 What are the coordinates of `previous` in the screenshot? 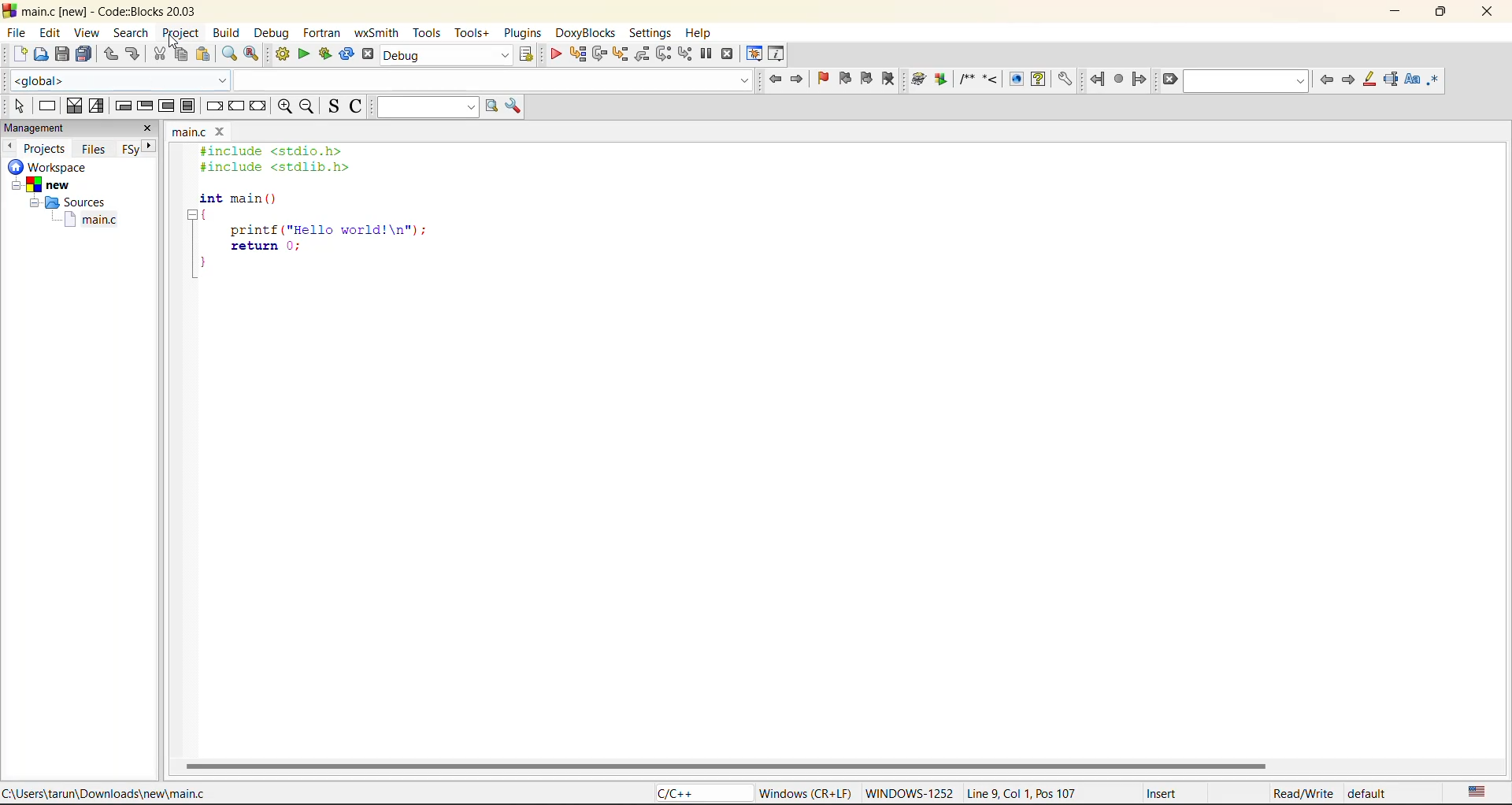 It's located at (10, 146).